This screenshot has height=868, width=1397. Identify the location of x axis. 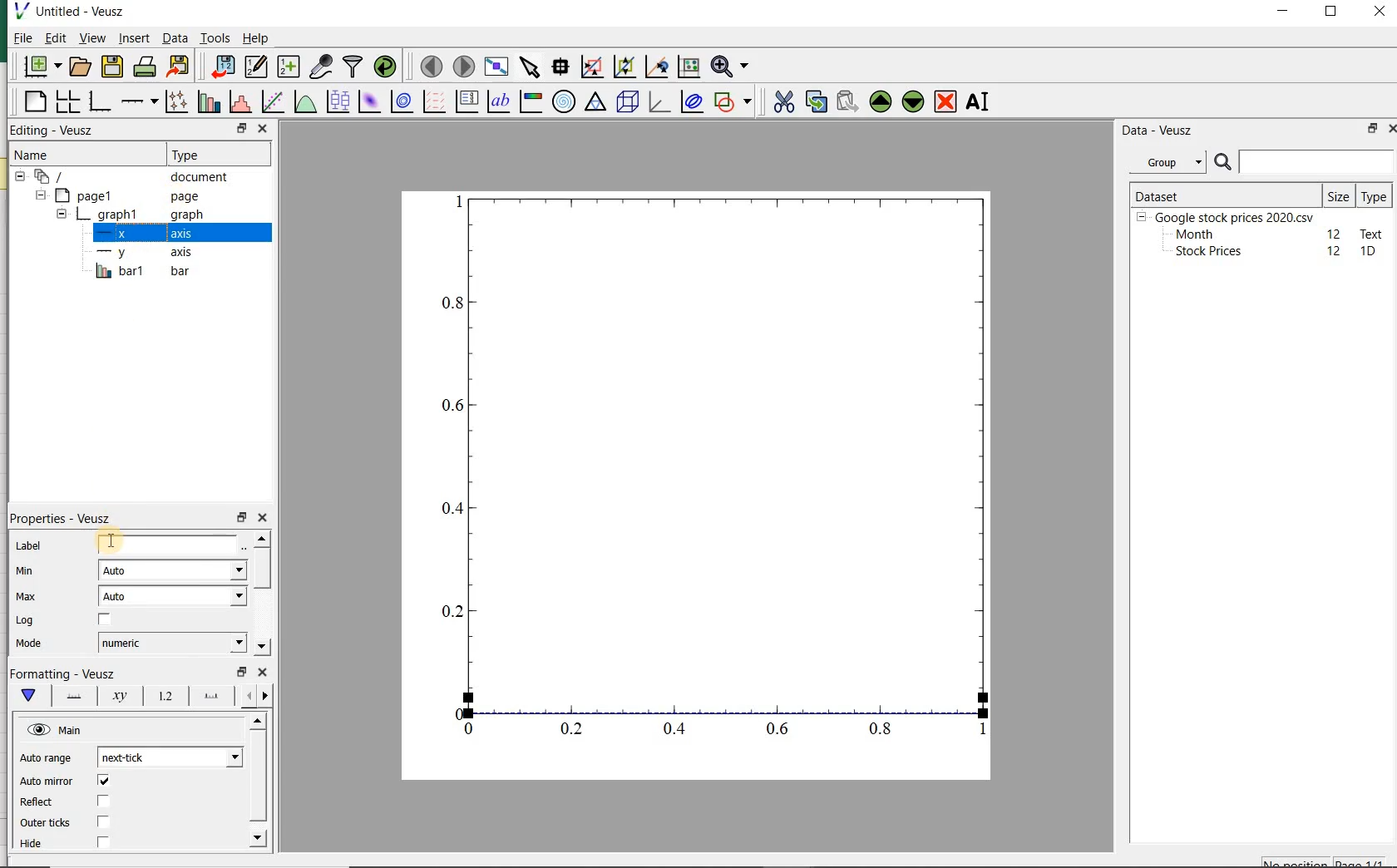
(137, 234).